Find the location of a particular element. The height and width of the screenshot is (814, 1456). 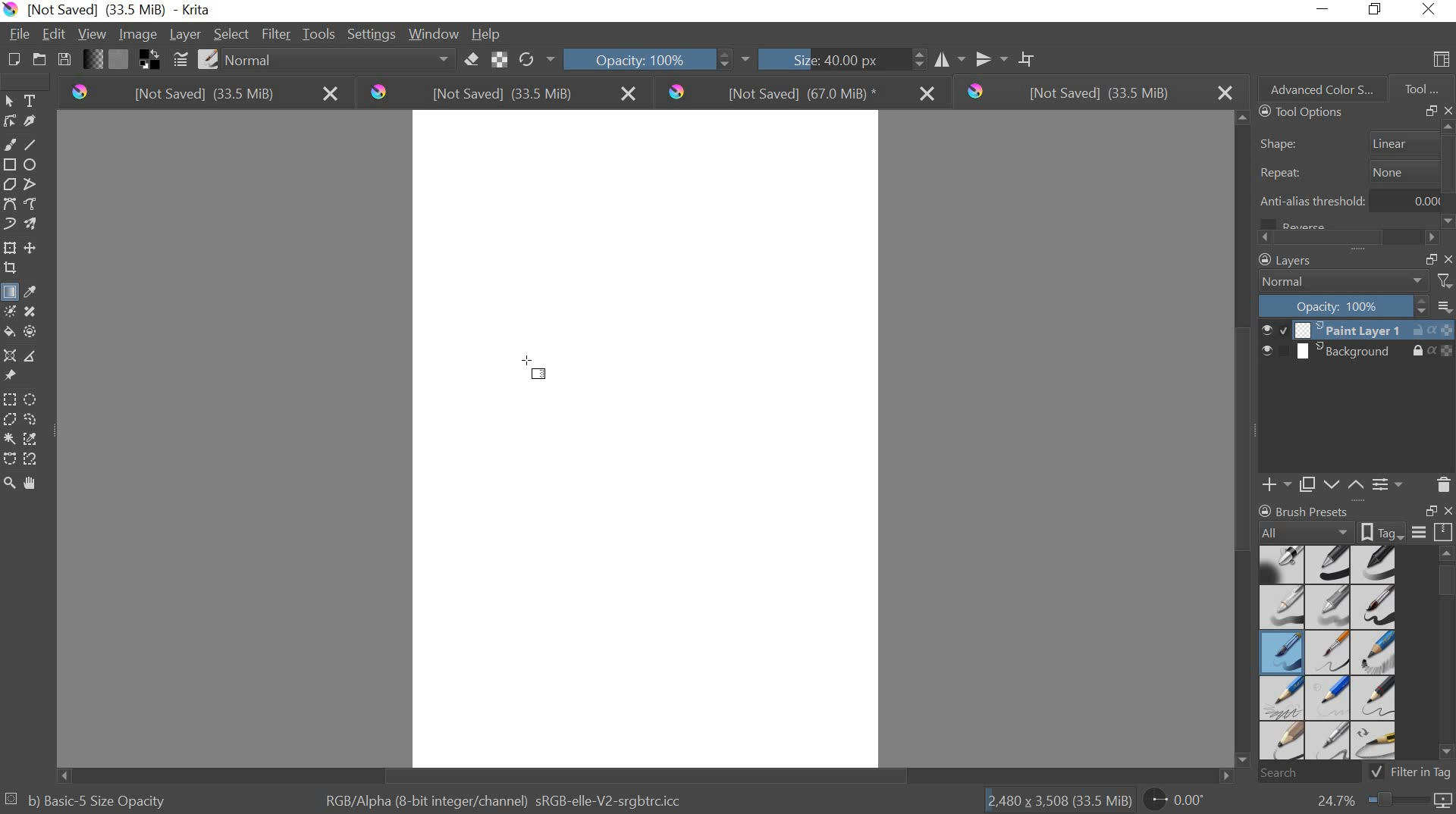

normal is located at coordinates (338, 61).